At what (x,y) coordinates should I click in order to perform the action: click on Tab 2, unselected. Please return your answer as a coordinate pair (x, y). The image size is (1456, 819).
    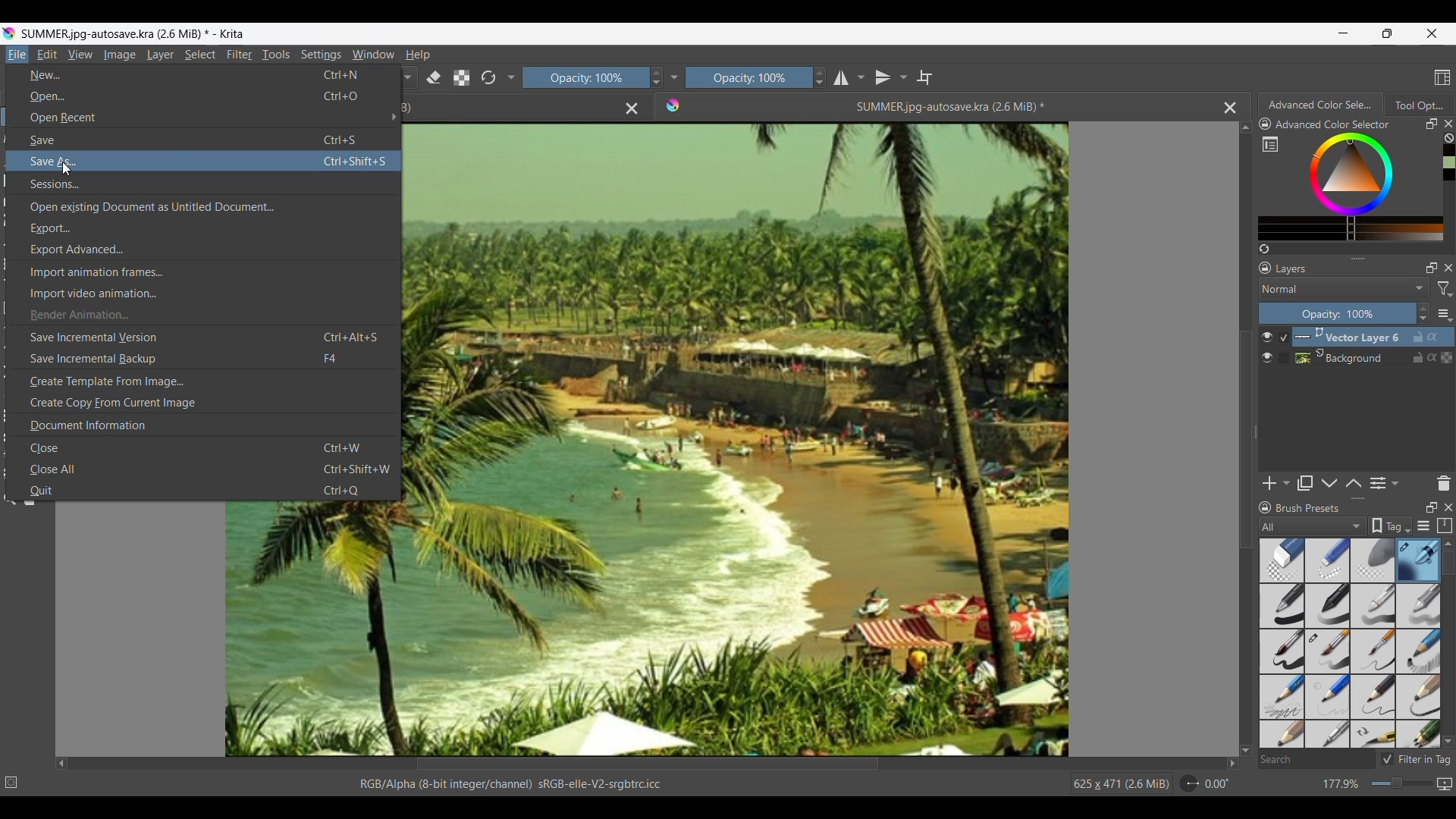
    Looking at the image, I should click on (1418, 105).